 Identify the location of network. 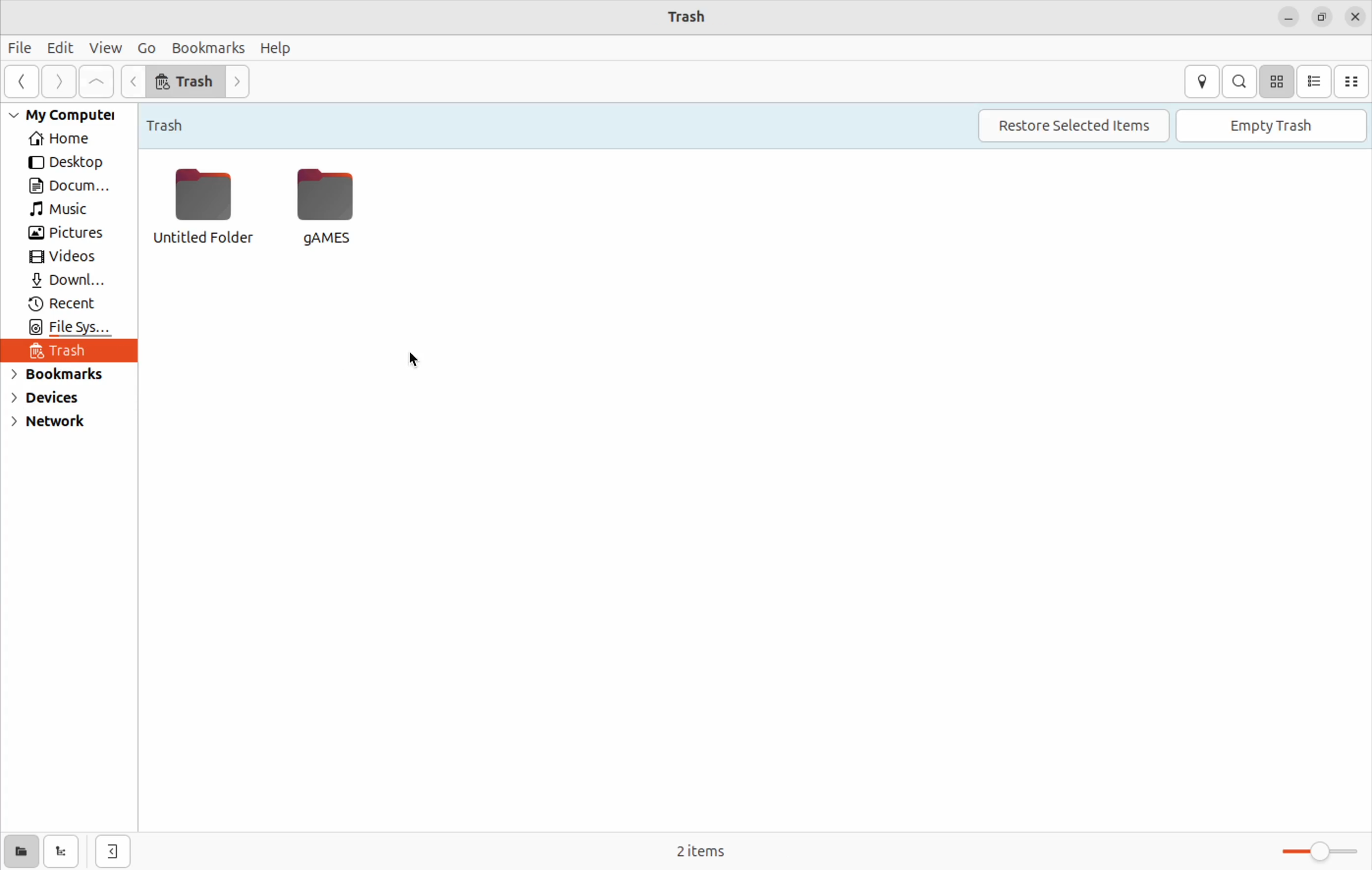
(57, 426).